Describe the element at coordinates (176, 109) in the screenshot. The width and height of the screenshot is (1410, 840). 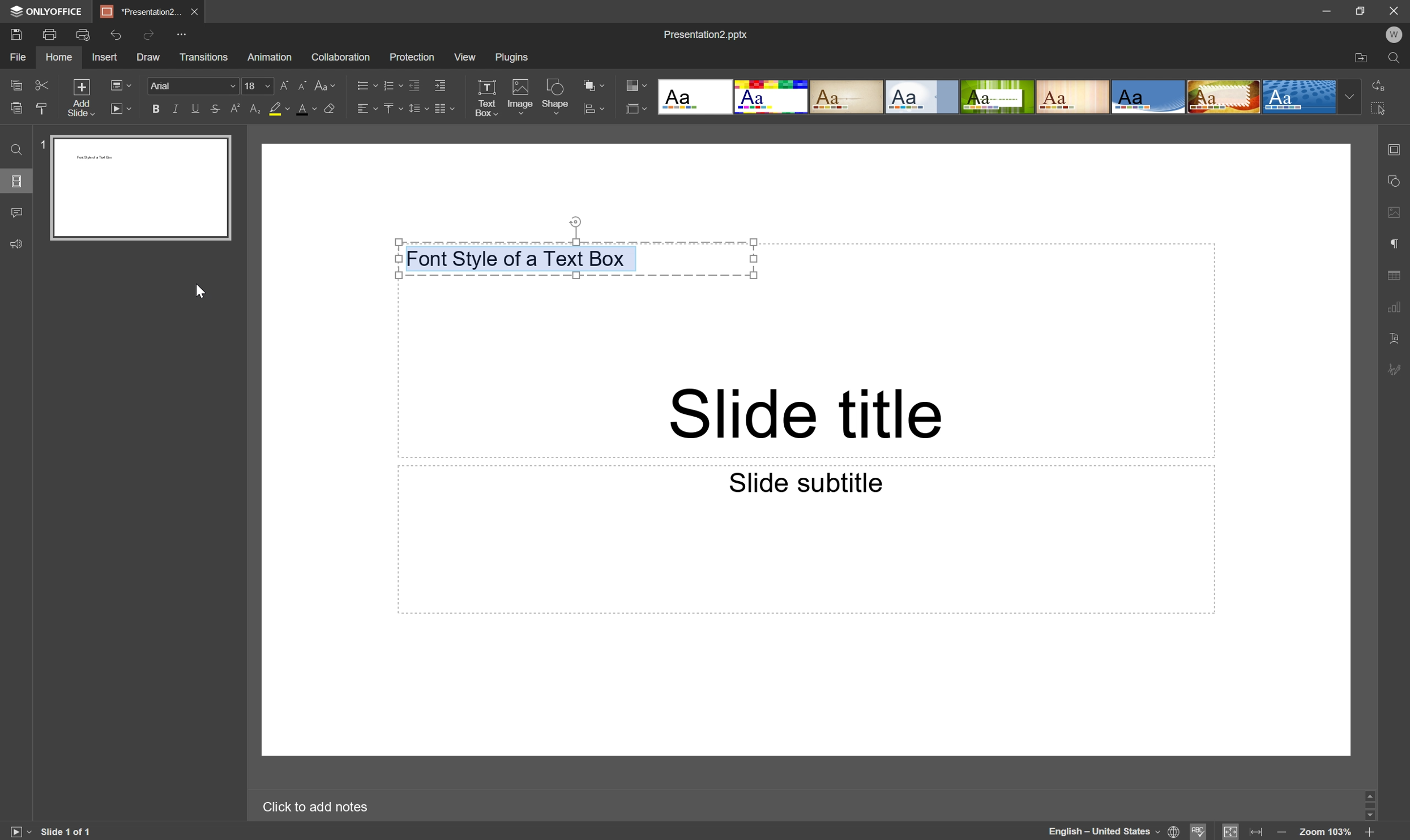
I see `Italic` at that location.